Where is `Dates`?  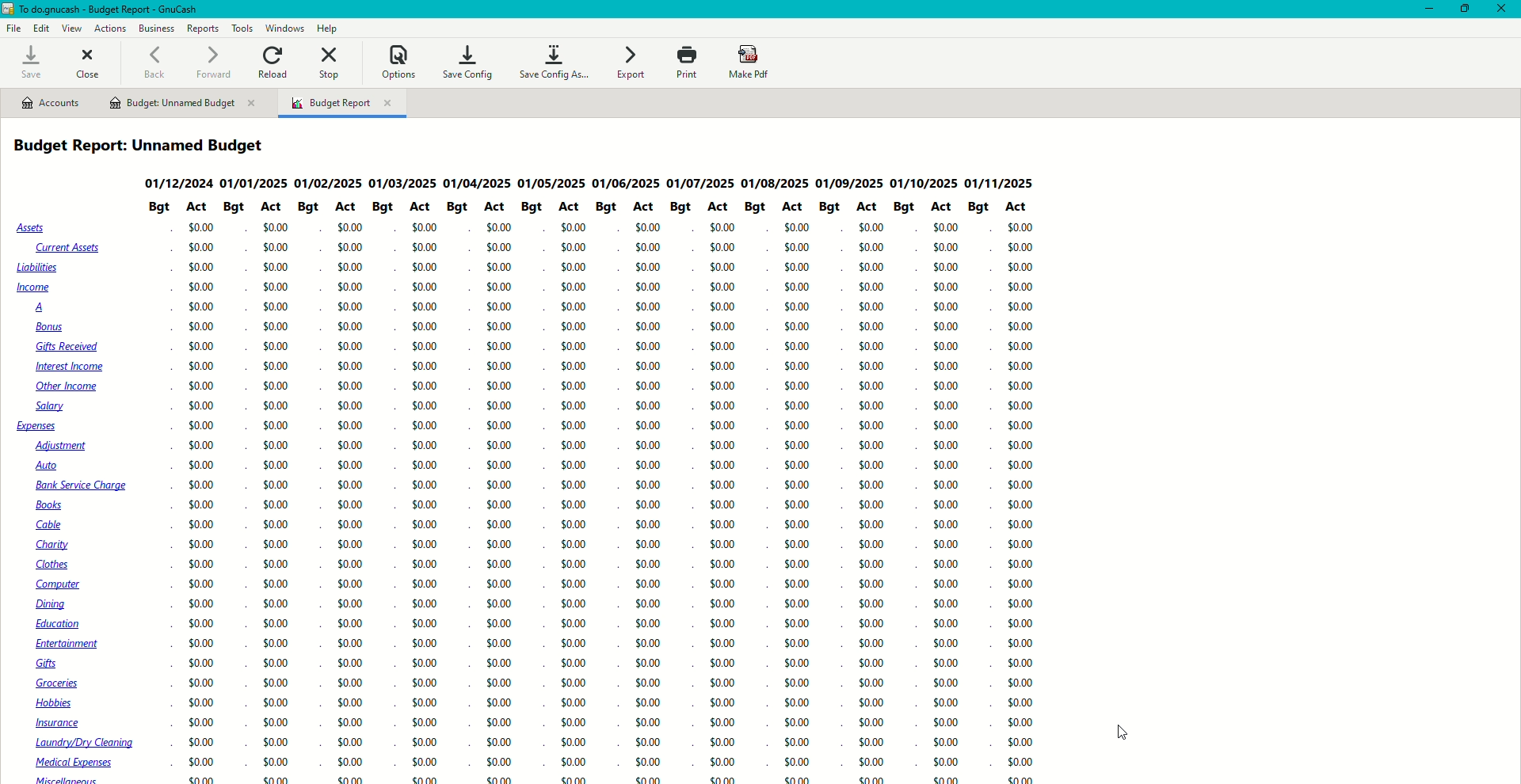 Dates is located at coordinates (597, 182).